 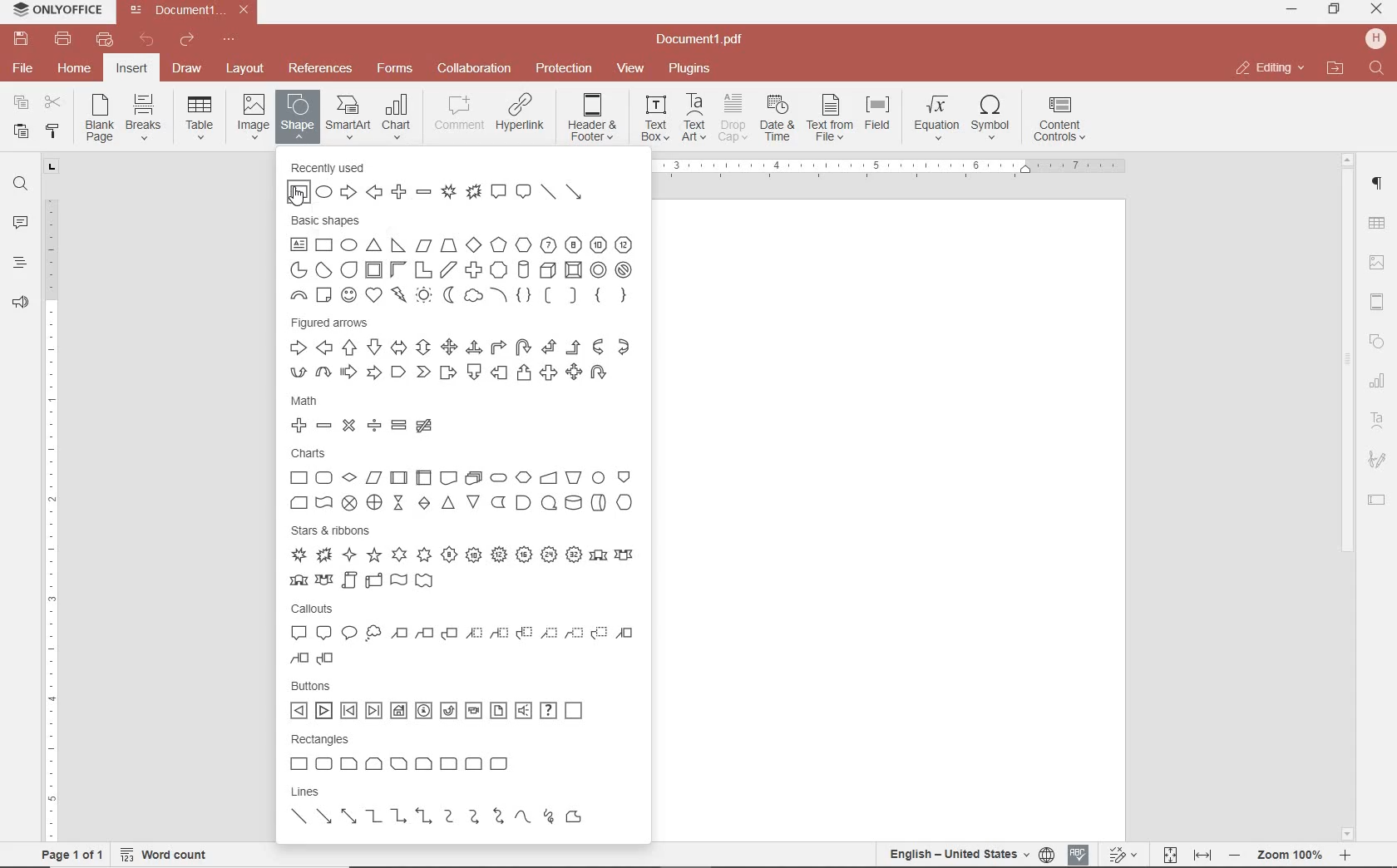 I want to click on file, so click(x=24, y=68).